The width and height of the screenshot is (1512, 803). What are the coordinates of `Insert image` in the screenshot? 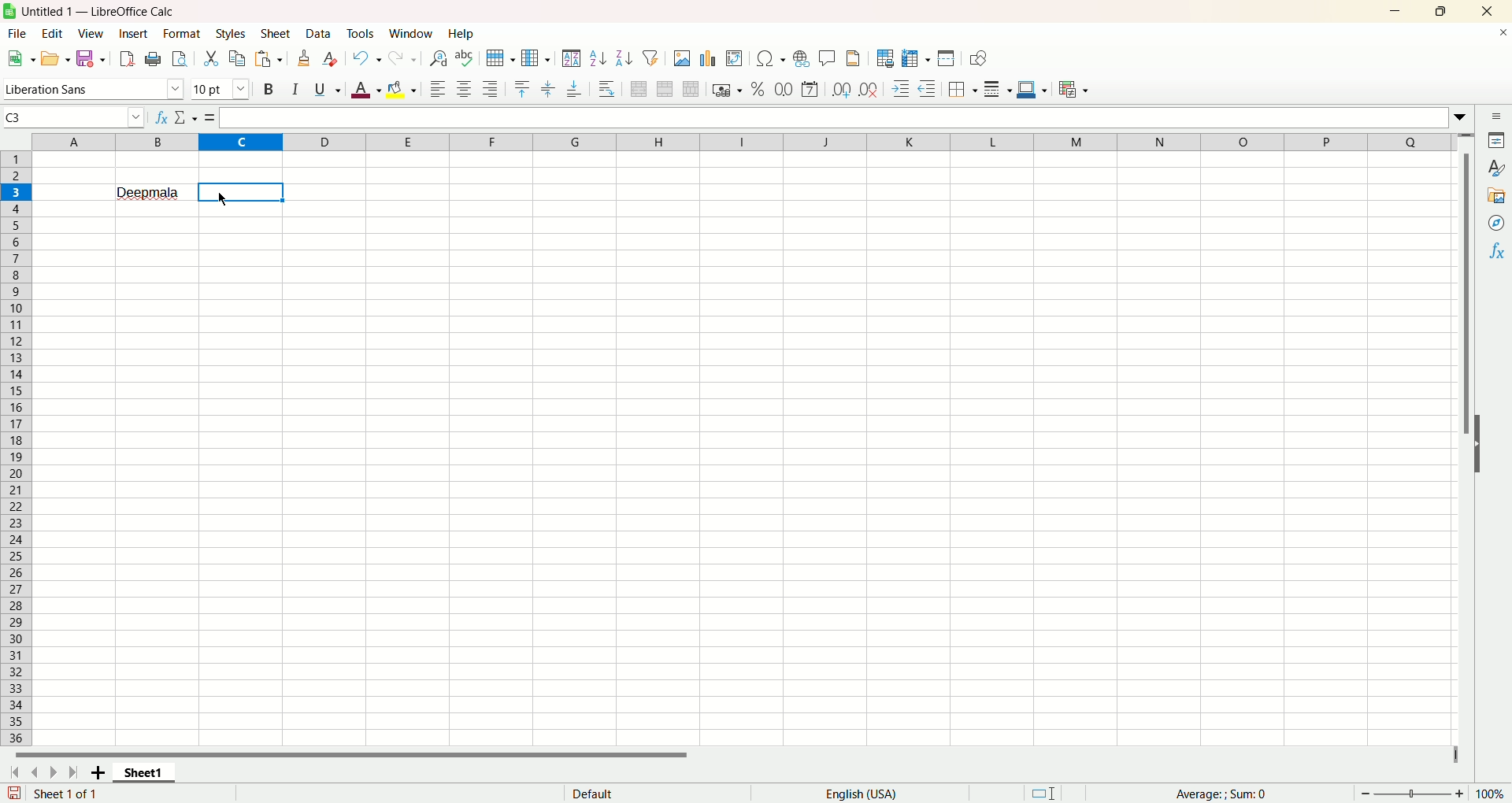 It's located at (682, 58).